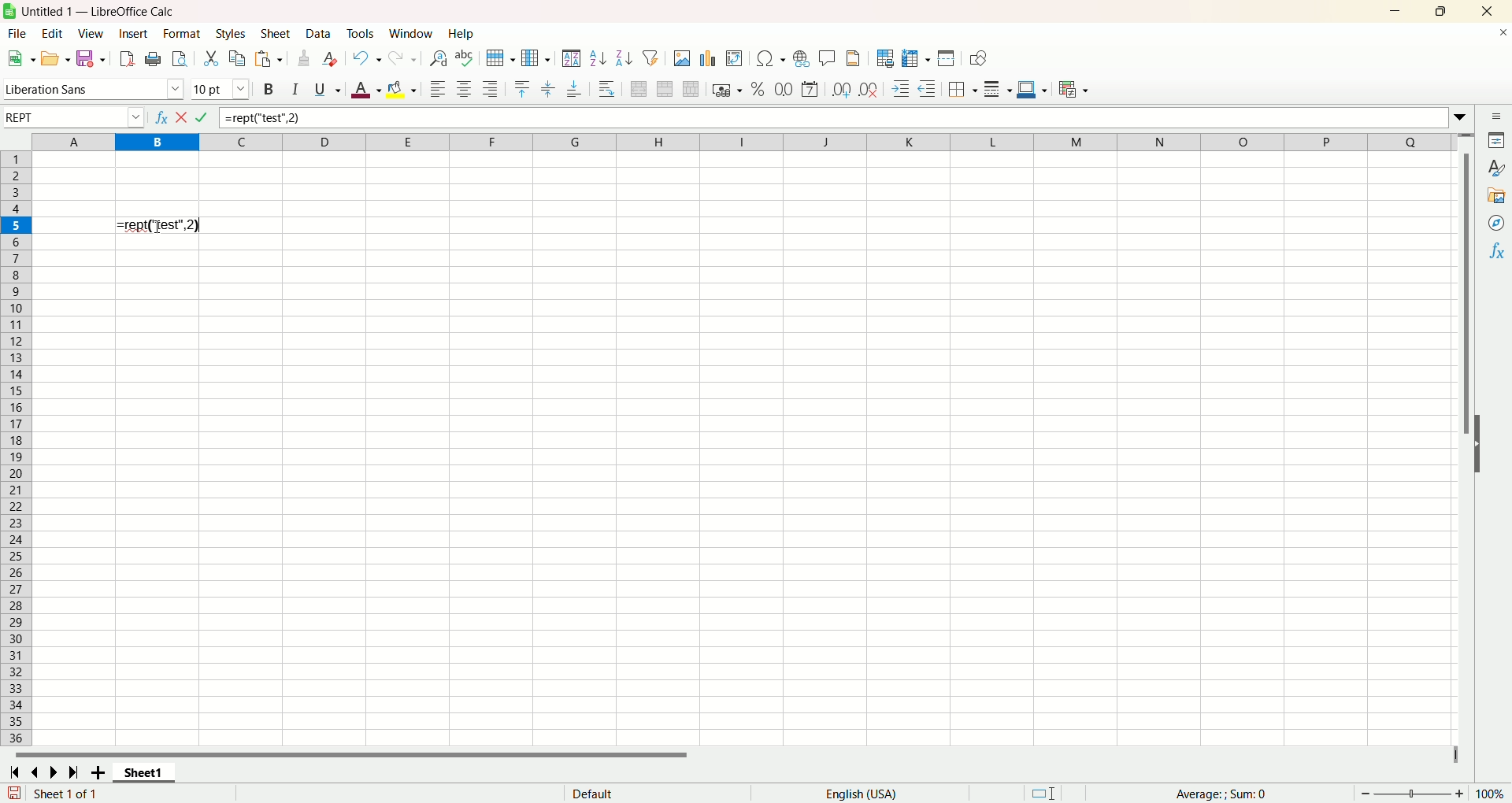 Image resolution: width=1512 pixels, height=803 pixels. What do you see at coordinates (163, 224) in the screenshot?
I see `formula` at bounding box center [163, 224].